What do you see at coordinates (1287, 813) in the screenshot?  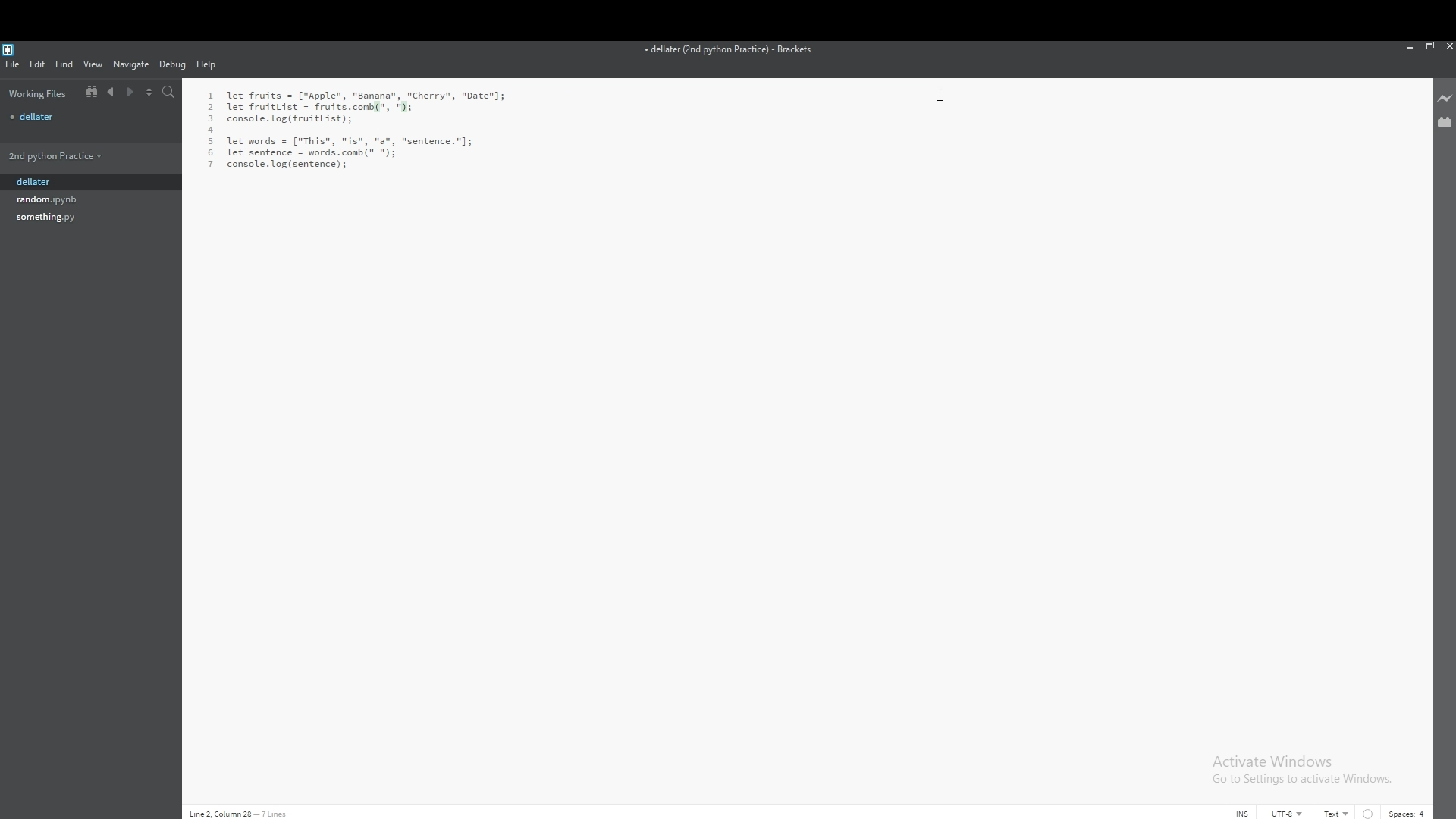 I see `encoding` at bounding box center [1287, 813].